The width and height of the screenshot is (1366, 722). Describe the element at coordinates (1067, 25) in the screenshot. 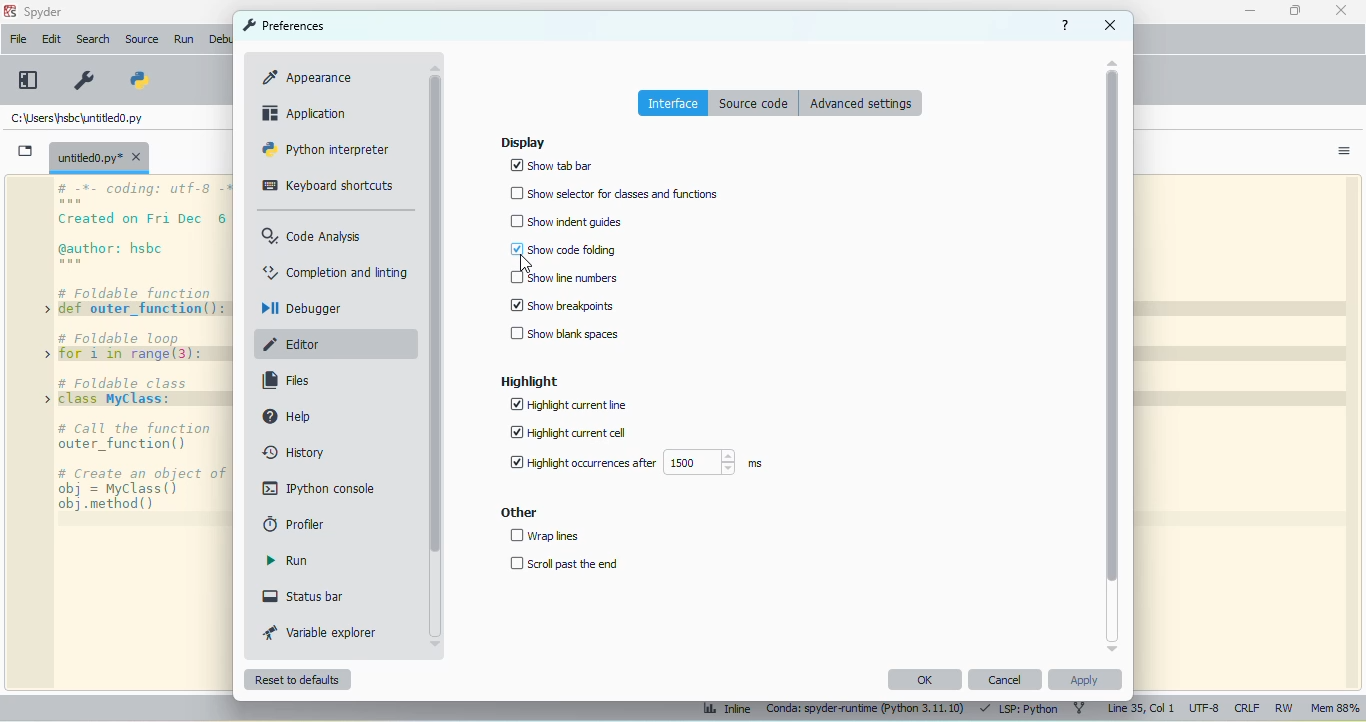

I see `help` at that location.